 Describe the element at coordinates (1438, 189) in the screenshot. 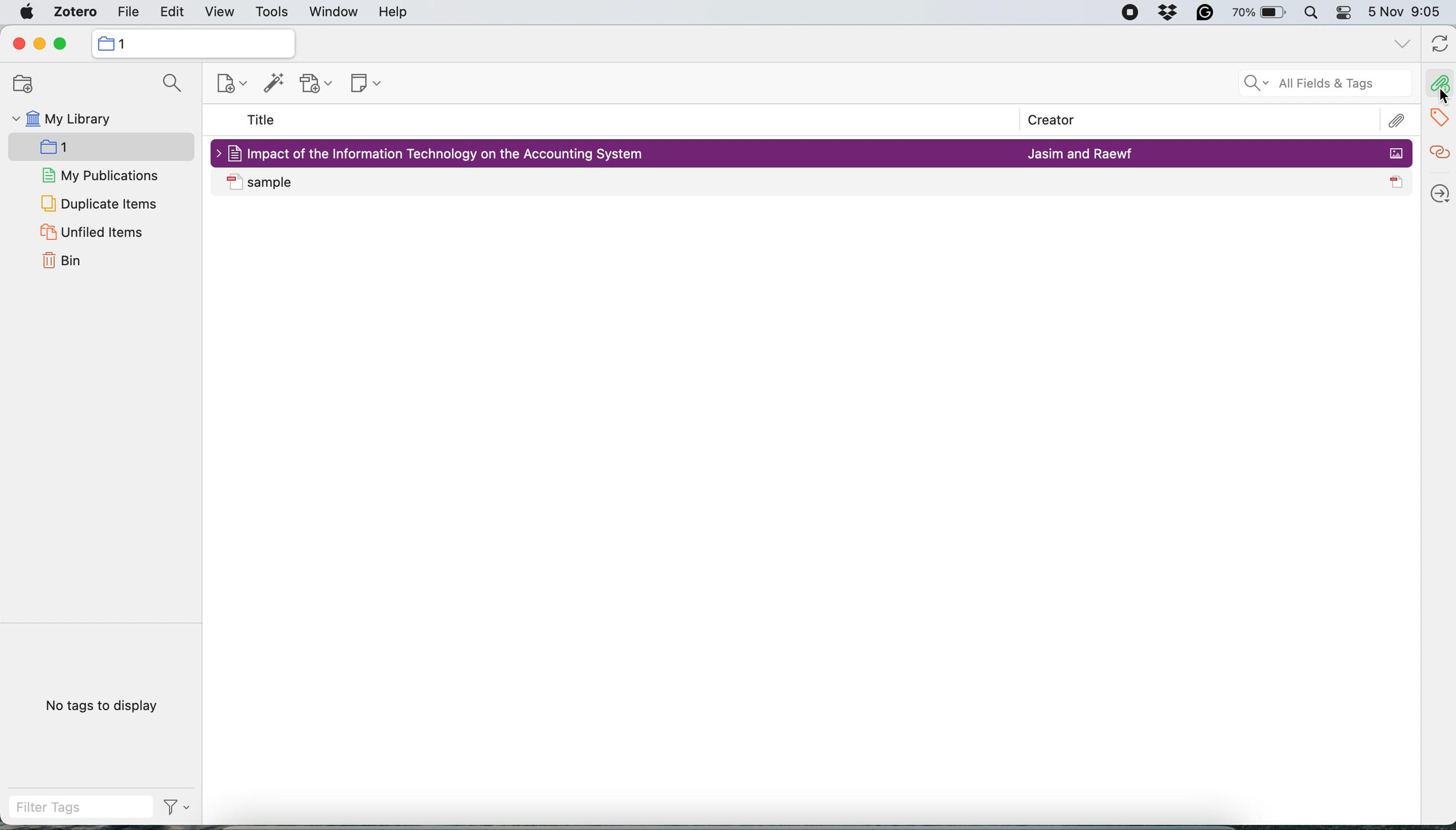

I see `locate` at that location.